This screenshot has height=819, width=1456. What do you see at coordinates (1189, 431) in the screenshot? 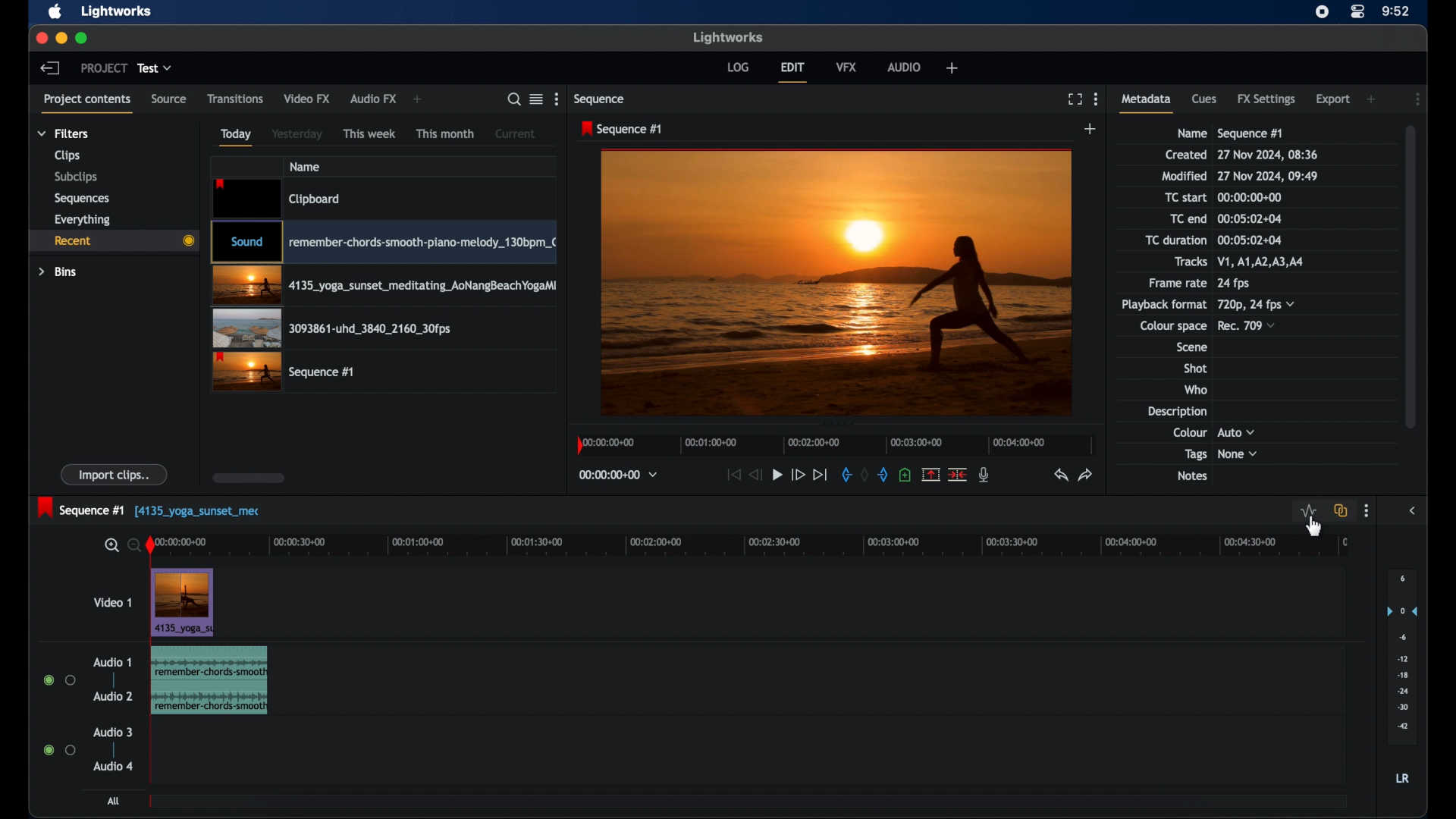
I see `colour` at bounding box center [1189, 431].